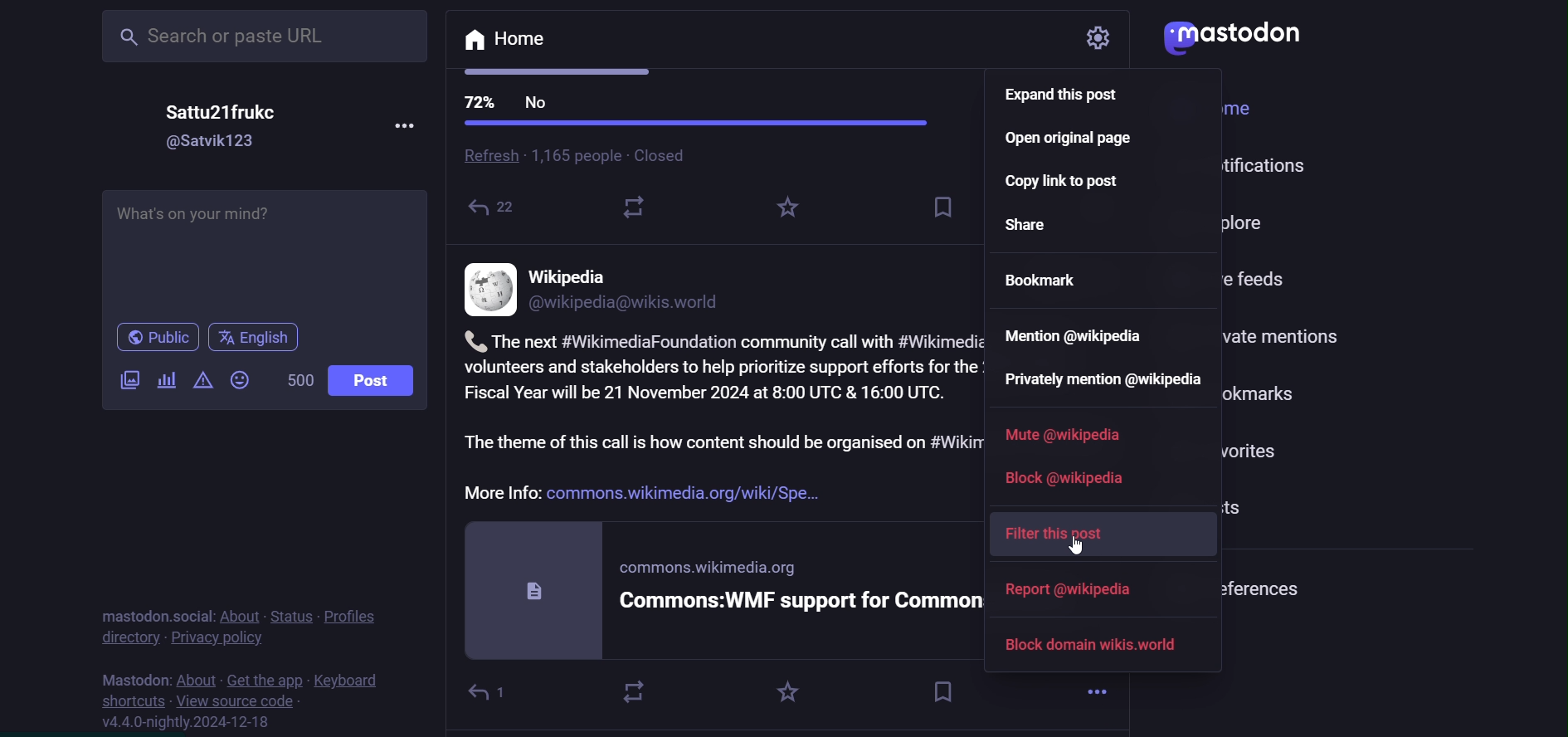  Describe the element at coordinates (156, 339) in the screenshot. I see `public` at that location.